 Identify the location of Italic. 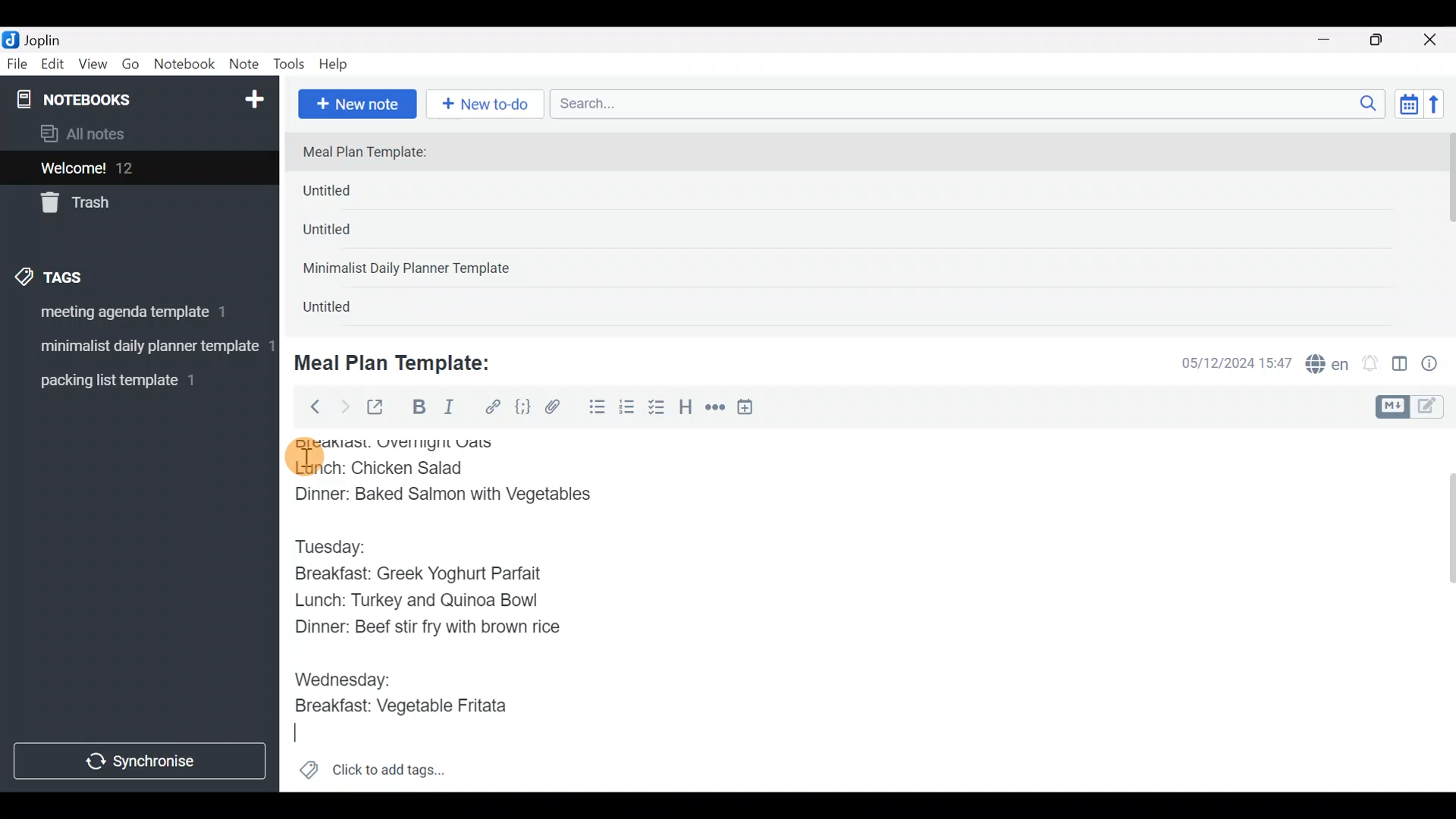
(447, 410).